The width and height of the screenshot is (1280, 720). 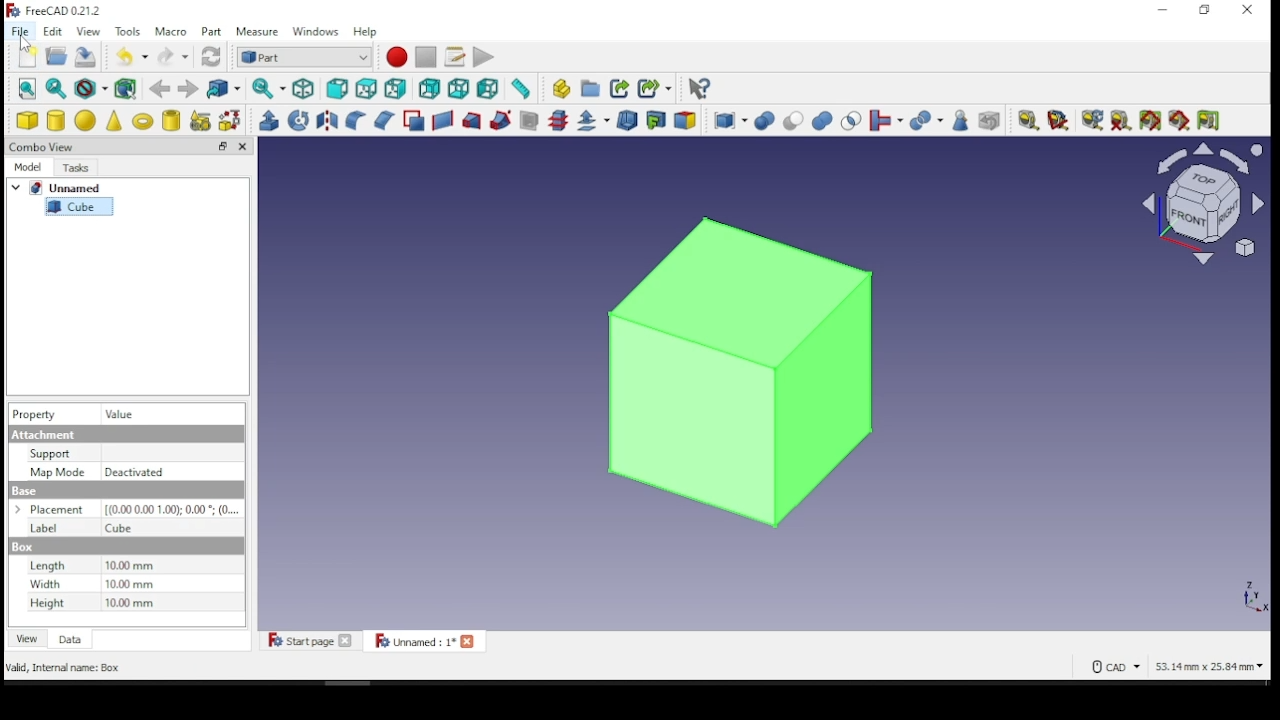 What do you see at coordinates (172, 120) in the screenshot?
I see `create tube` at bounding box center [172, 120].